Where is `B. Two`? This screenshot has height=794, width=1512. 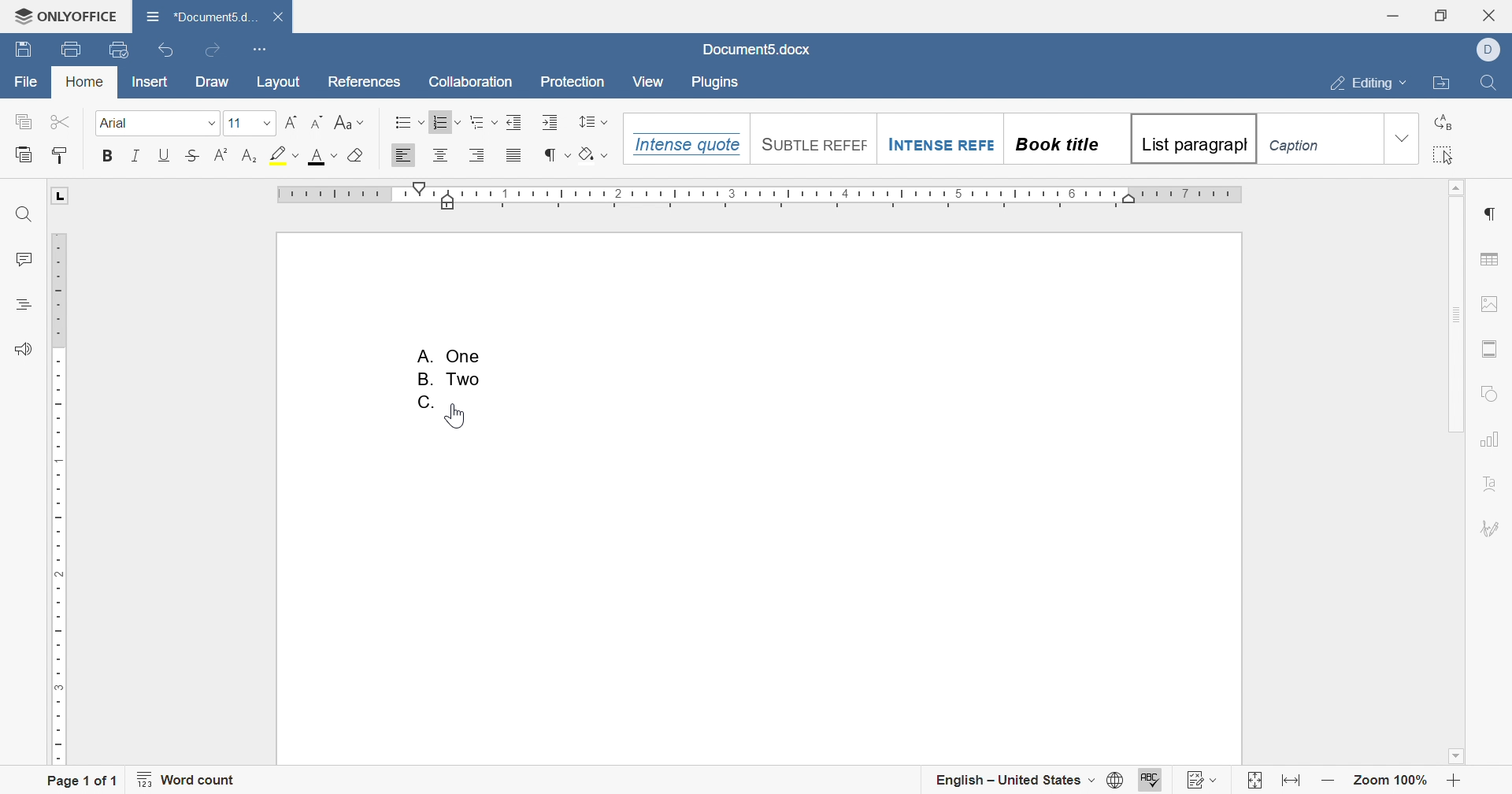 B. Two is located at coordinates (454, 380).